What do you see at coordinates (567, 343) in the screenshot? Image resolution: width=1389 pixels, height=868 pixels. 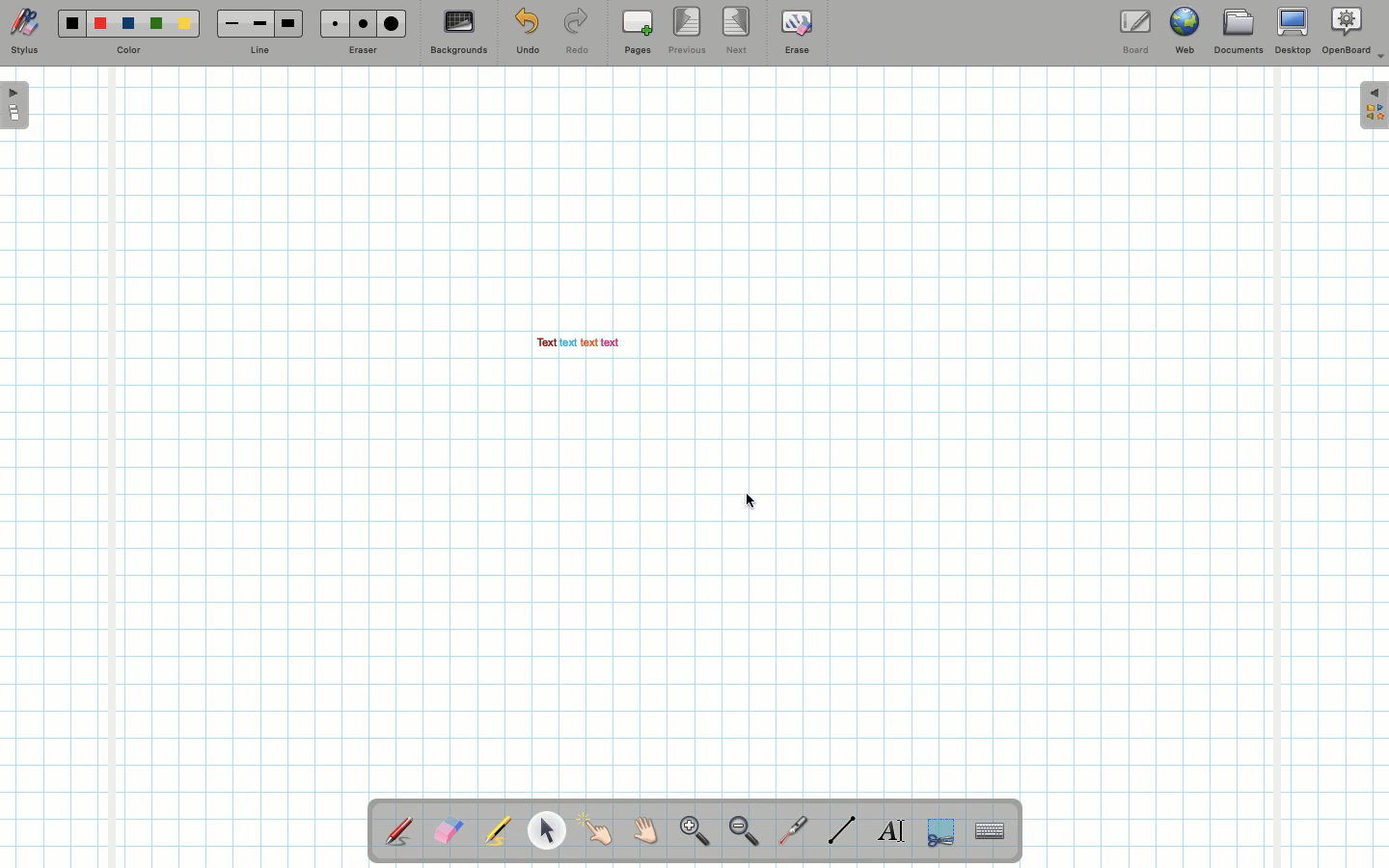 I see `text` at bounding box center [567, 343].